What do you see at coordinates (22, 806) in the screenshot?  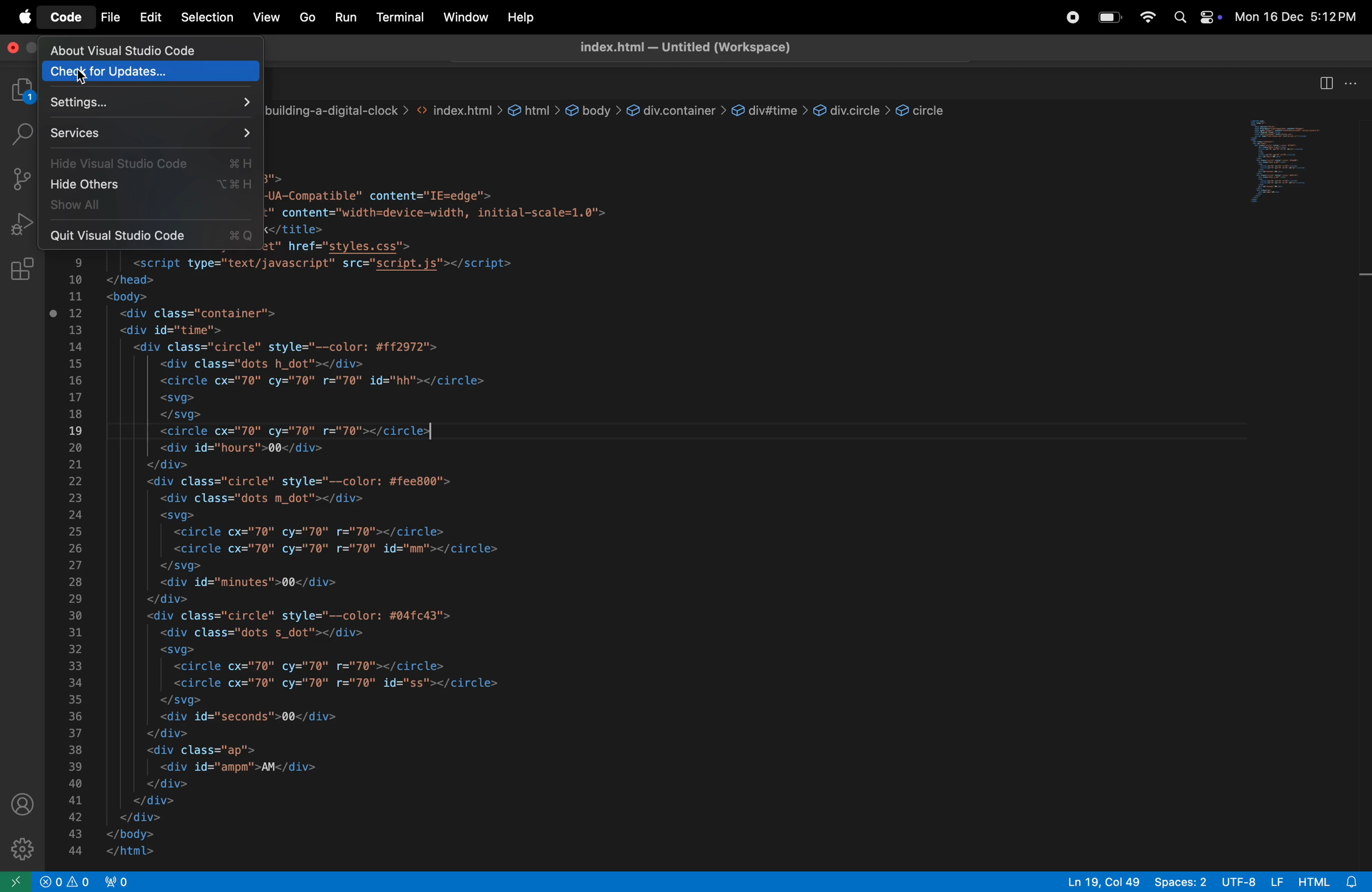 I see `profile` at bounding box center [22, 806].